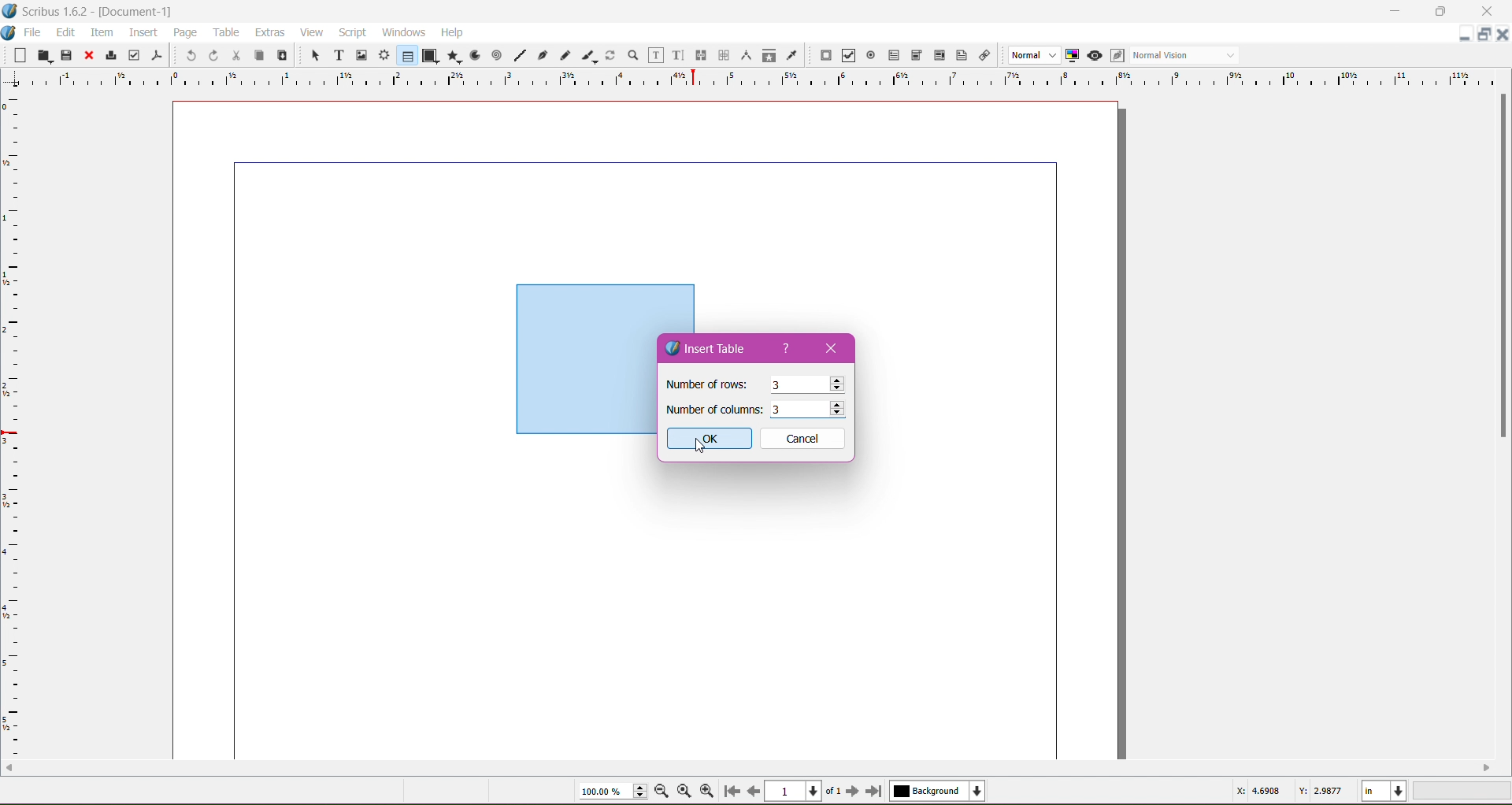  What do you see at coordinates (731, 793) in the screenshot?
I see `First Page` at bounding box center [731, 793].